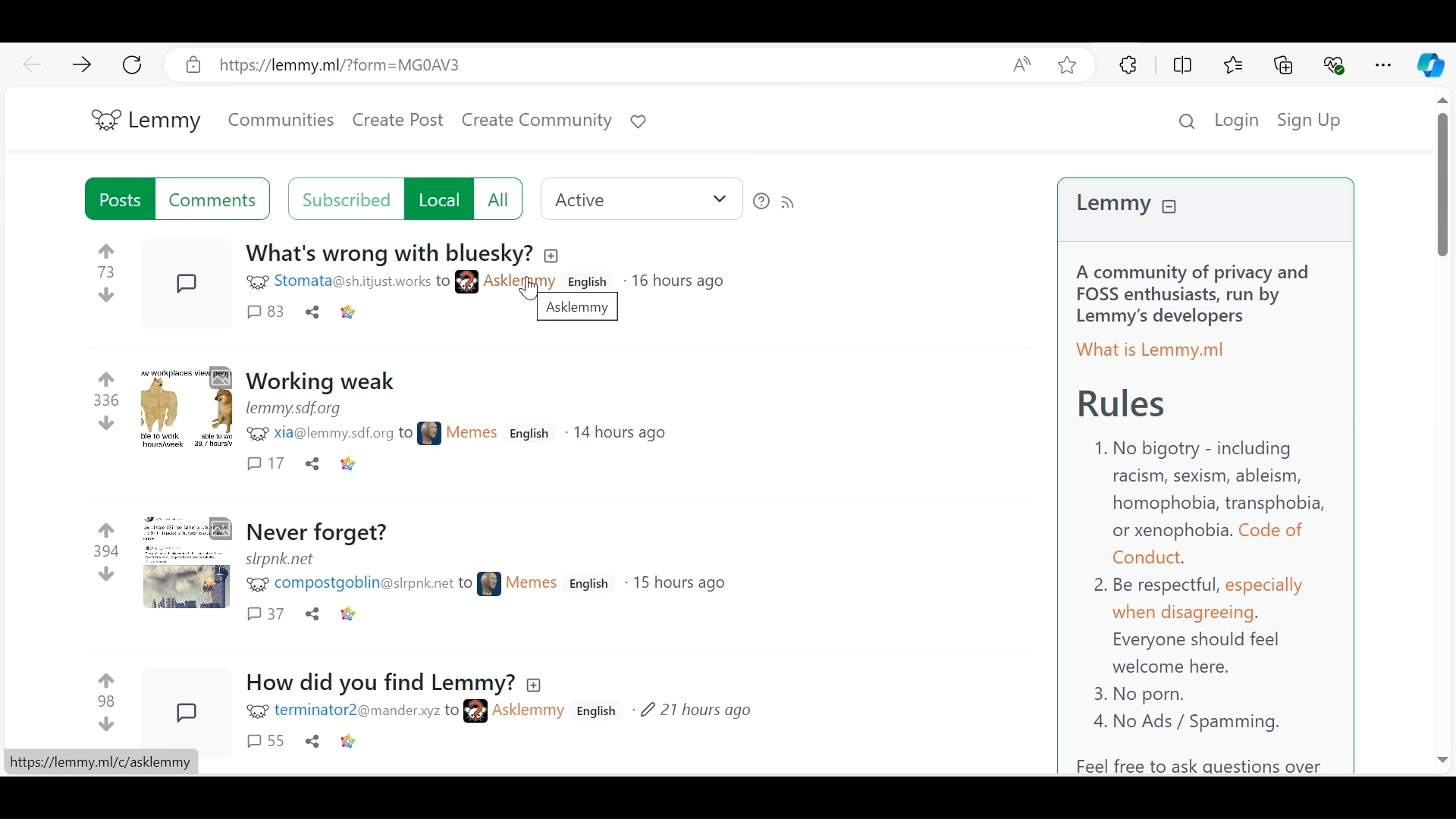  What do you see at coordinates (101, 763) in the screenshot?
I see `` at bounding box center [101, 763].